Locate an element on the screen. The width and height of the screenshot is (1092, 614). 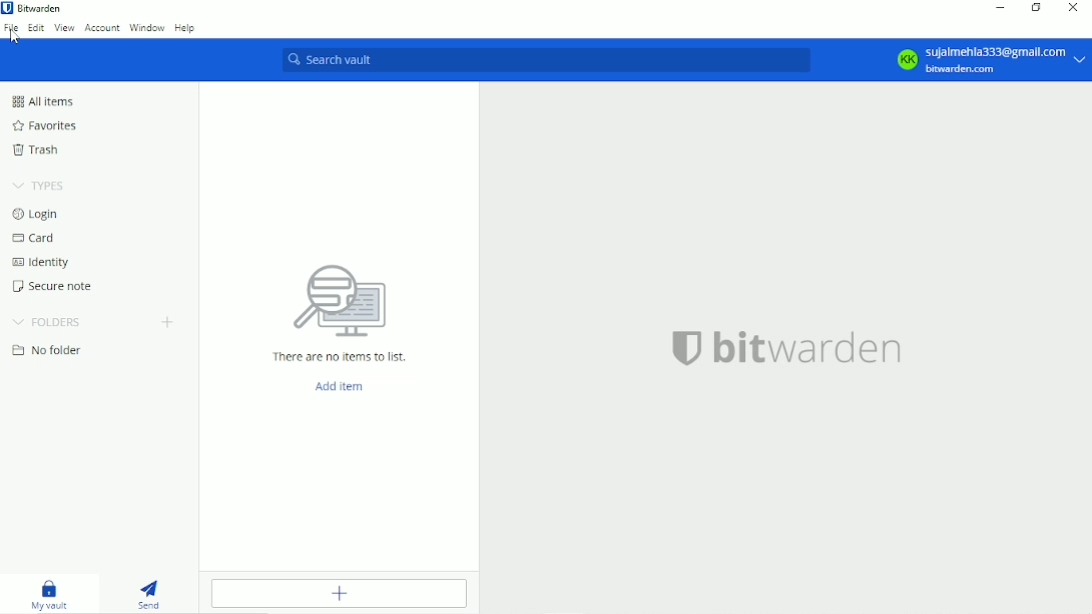
Help is located at coordinates (186, 27).